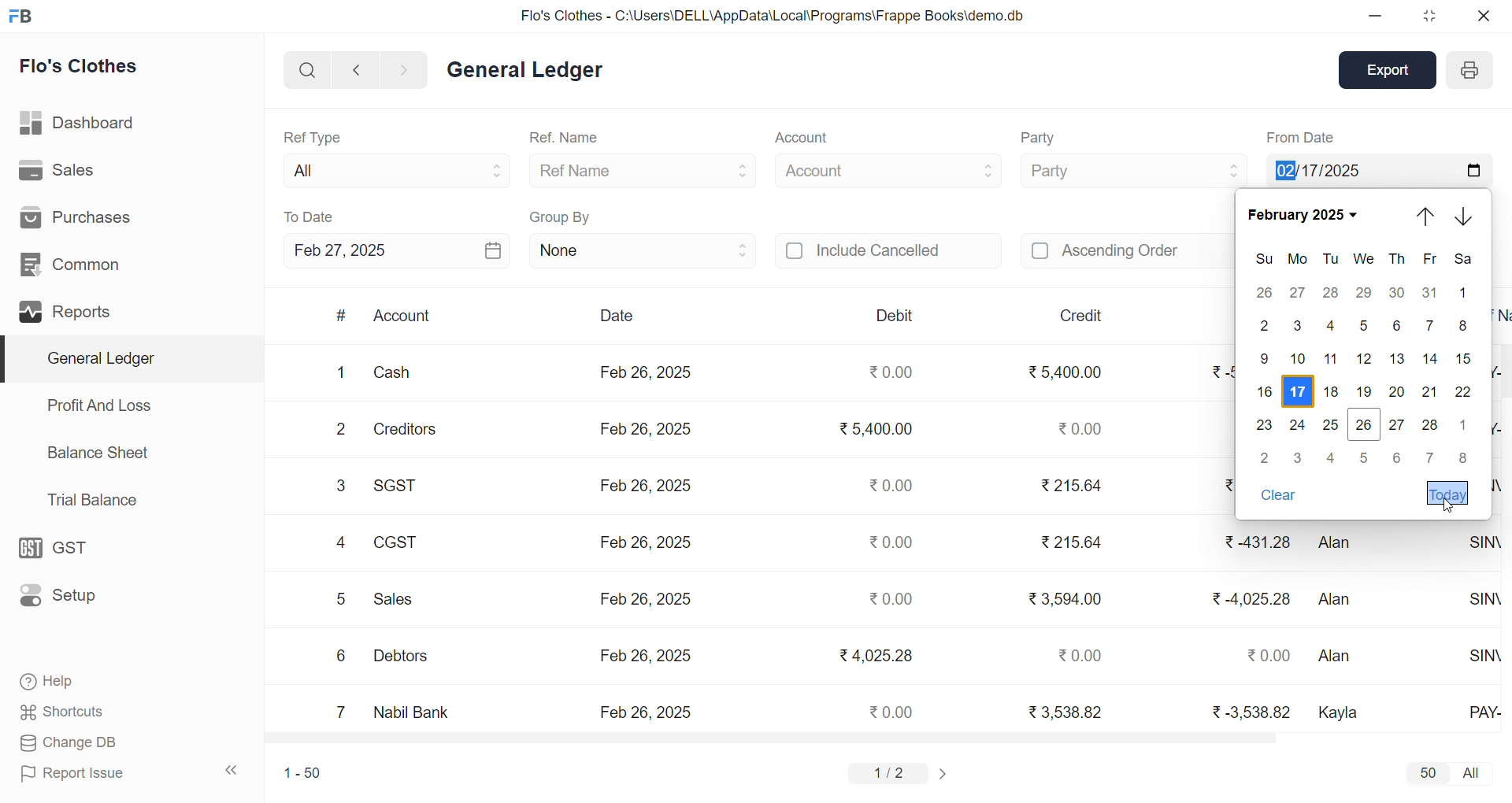  Describe the element at coordinates (61, 544) in the screenshot. I see `GST` at that location.